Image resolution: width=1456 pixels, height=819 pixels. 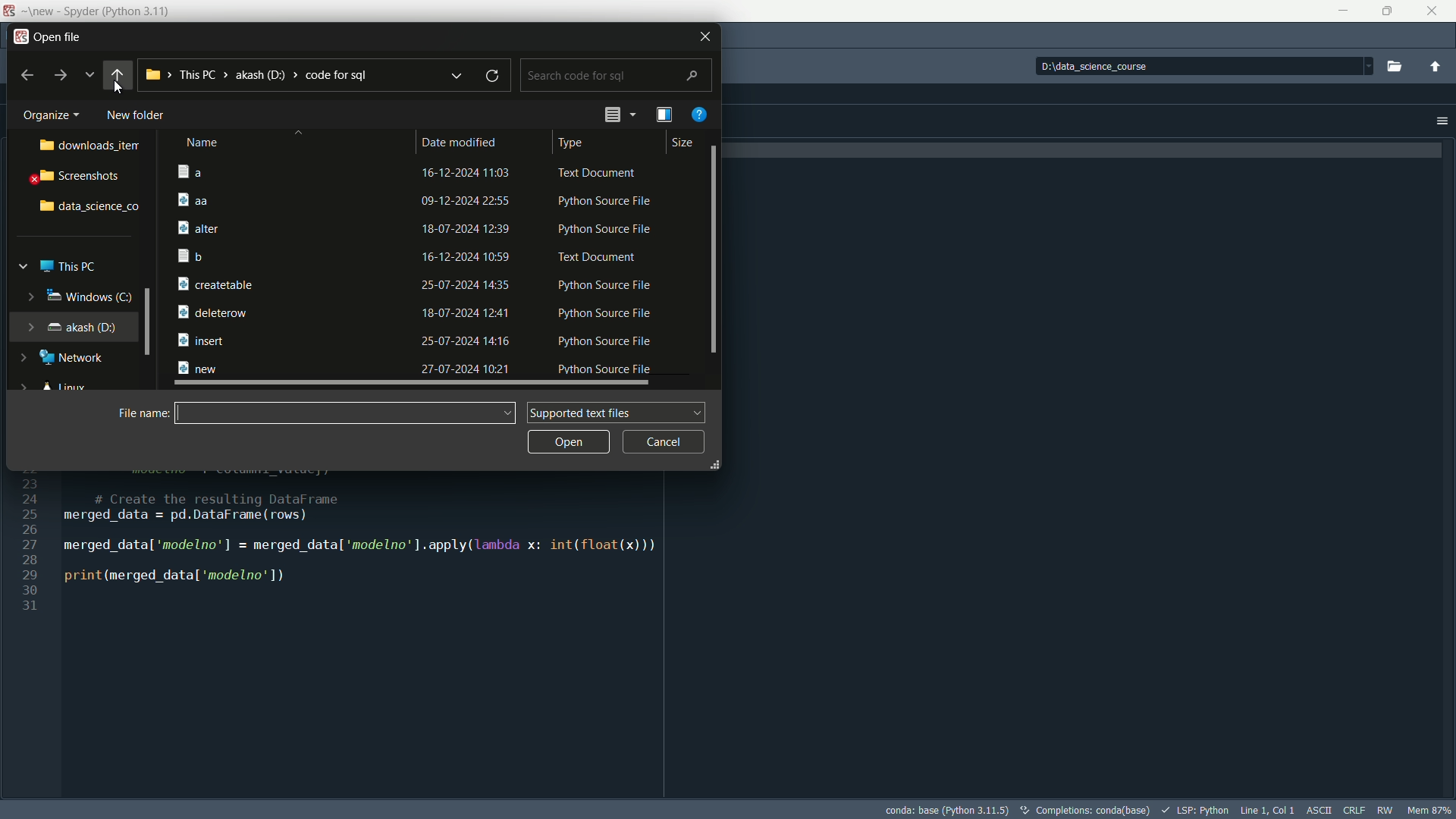 I want to click on memory usage, so click(x=1429, y=809).